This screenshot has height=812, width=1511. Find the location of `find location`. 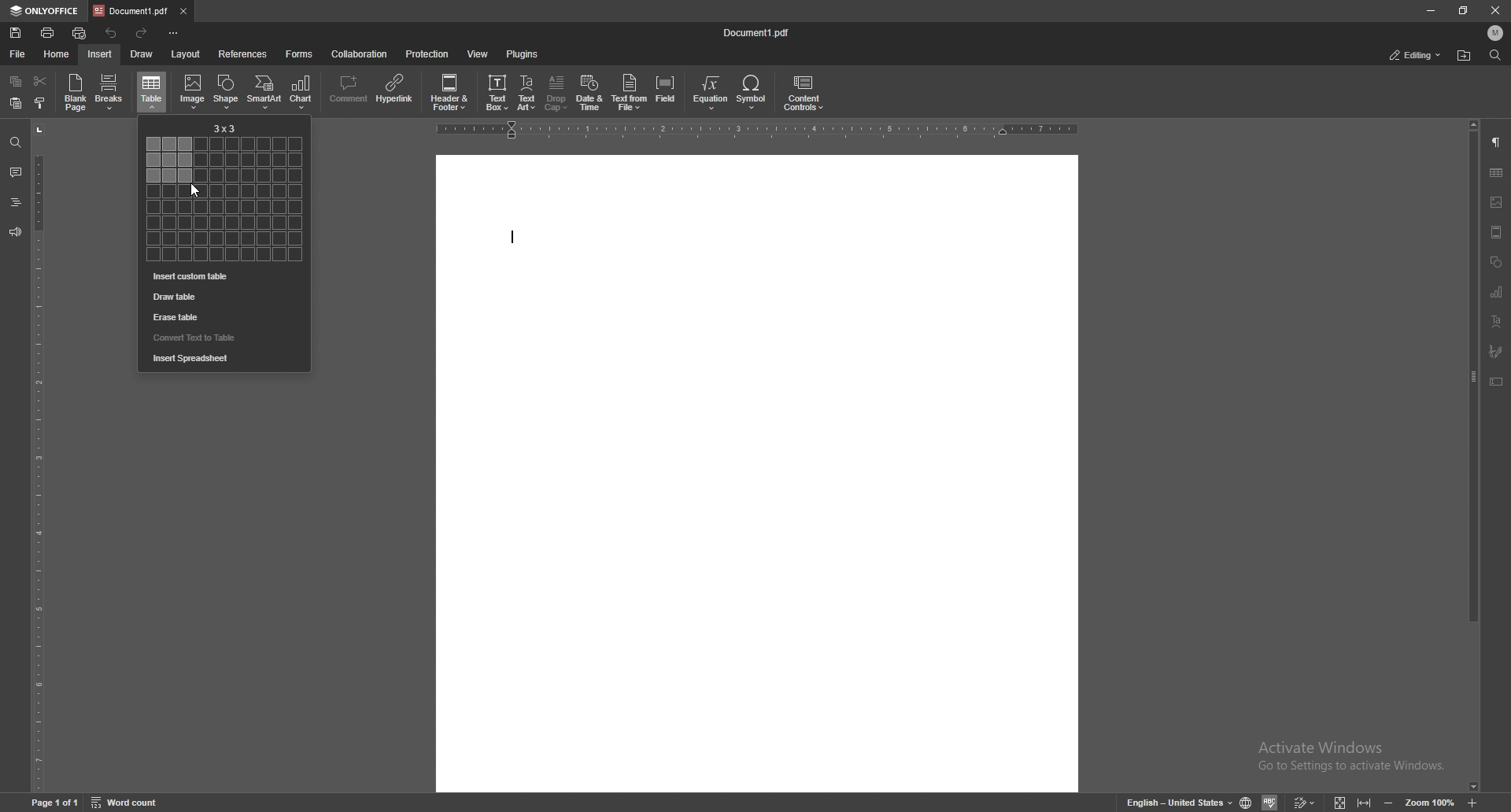

find location is located at coordinates (1465, 55).